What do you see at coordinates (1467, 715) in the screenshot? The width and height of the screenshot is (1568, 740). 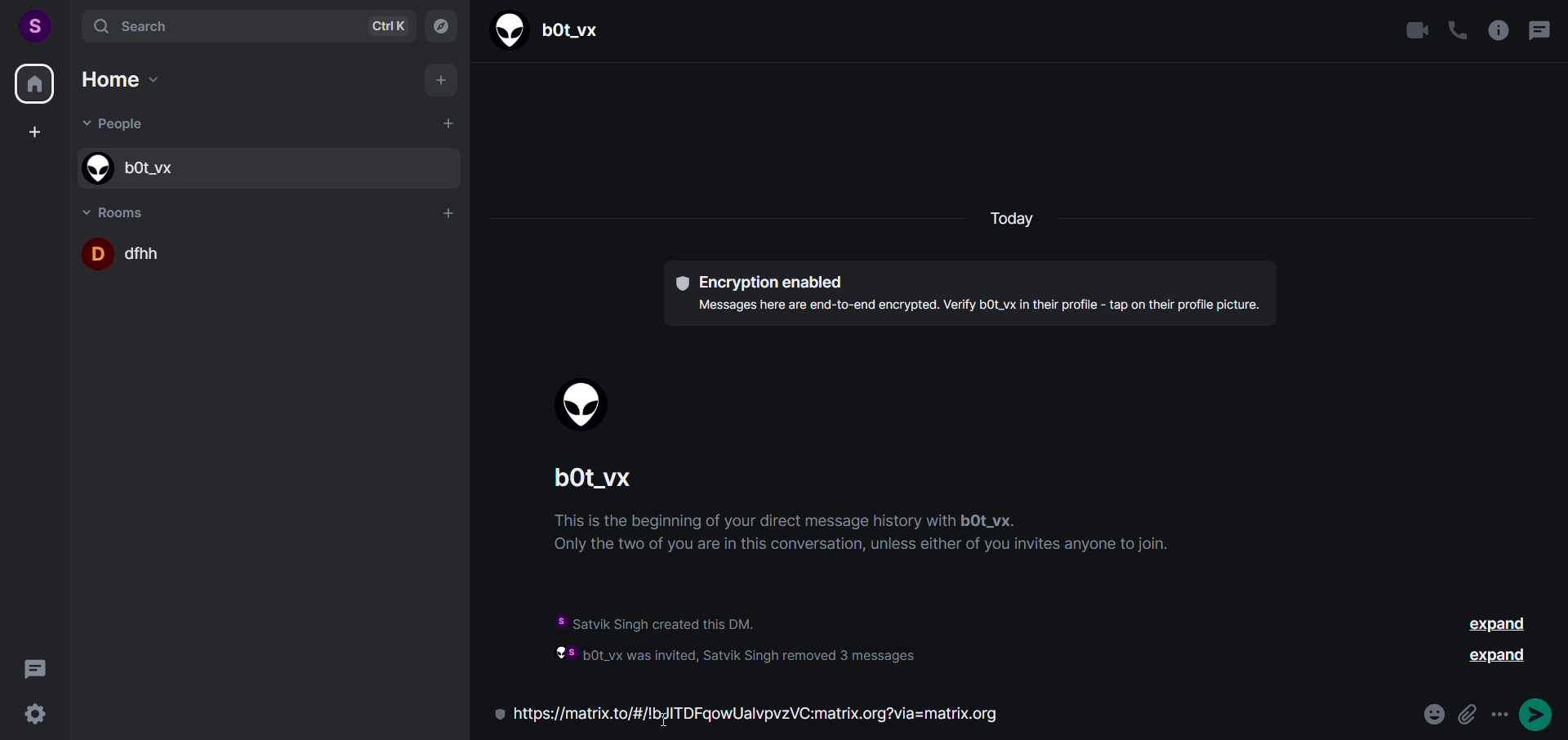 I see `attachment` at bounding box center [1467, 715].